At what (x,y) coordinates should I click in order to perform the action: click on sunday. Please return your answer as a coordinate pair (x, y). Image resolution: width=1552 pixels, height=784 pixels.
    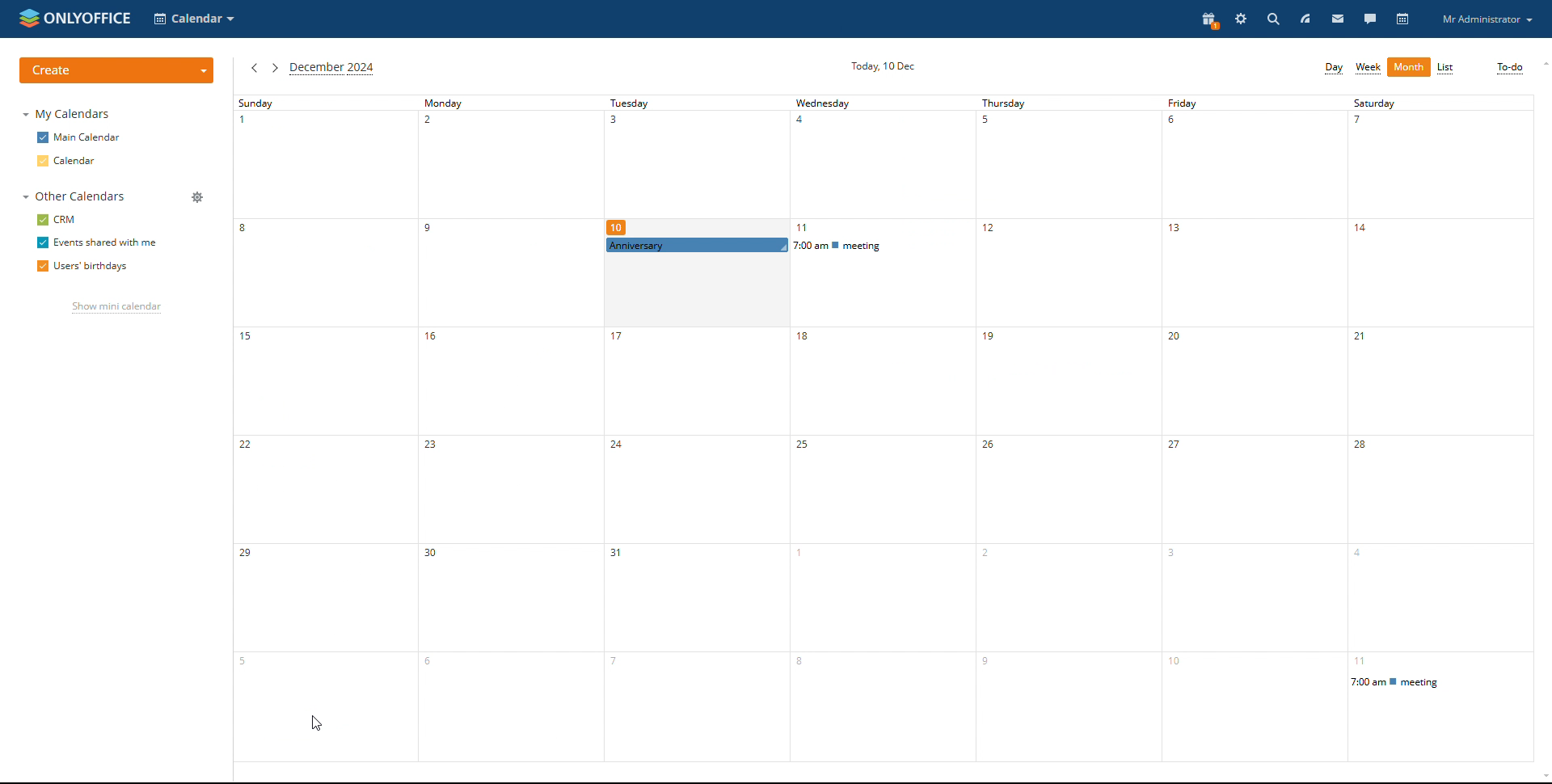
    Looking at the image, I should click on (321, 428).